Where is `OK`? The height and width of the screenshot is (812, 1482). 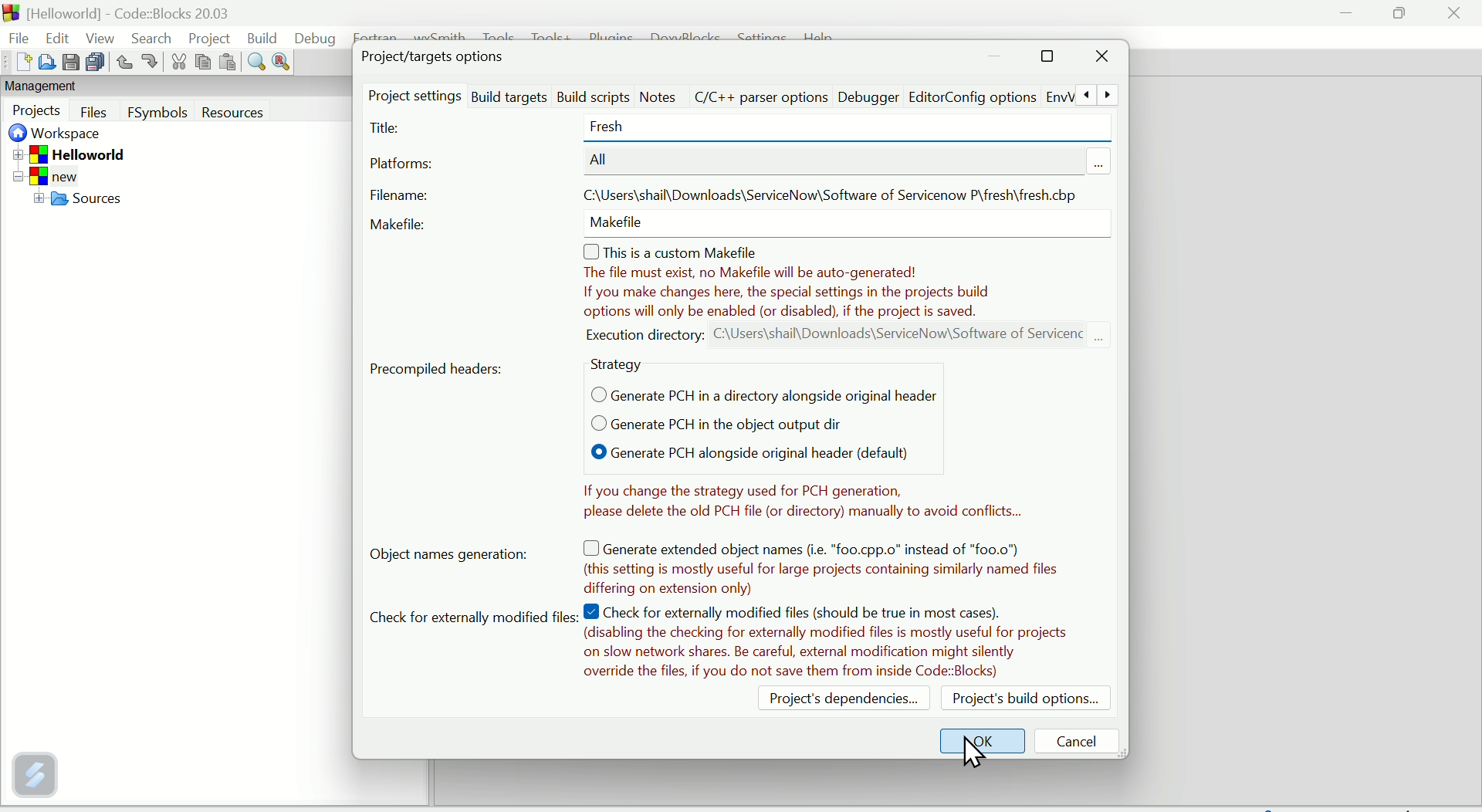
OK is located at coordinates (985, 739).